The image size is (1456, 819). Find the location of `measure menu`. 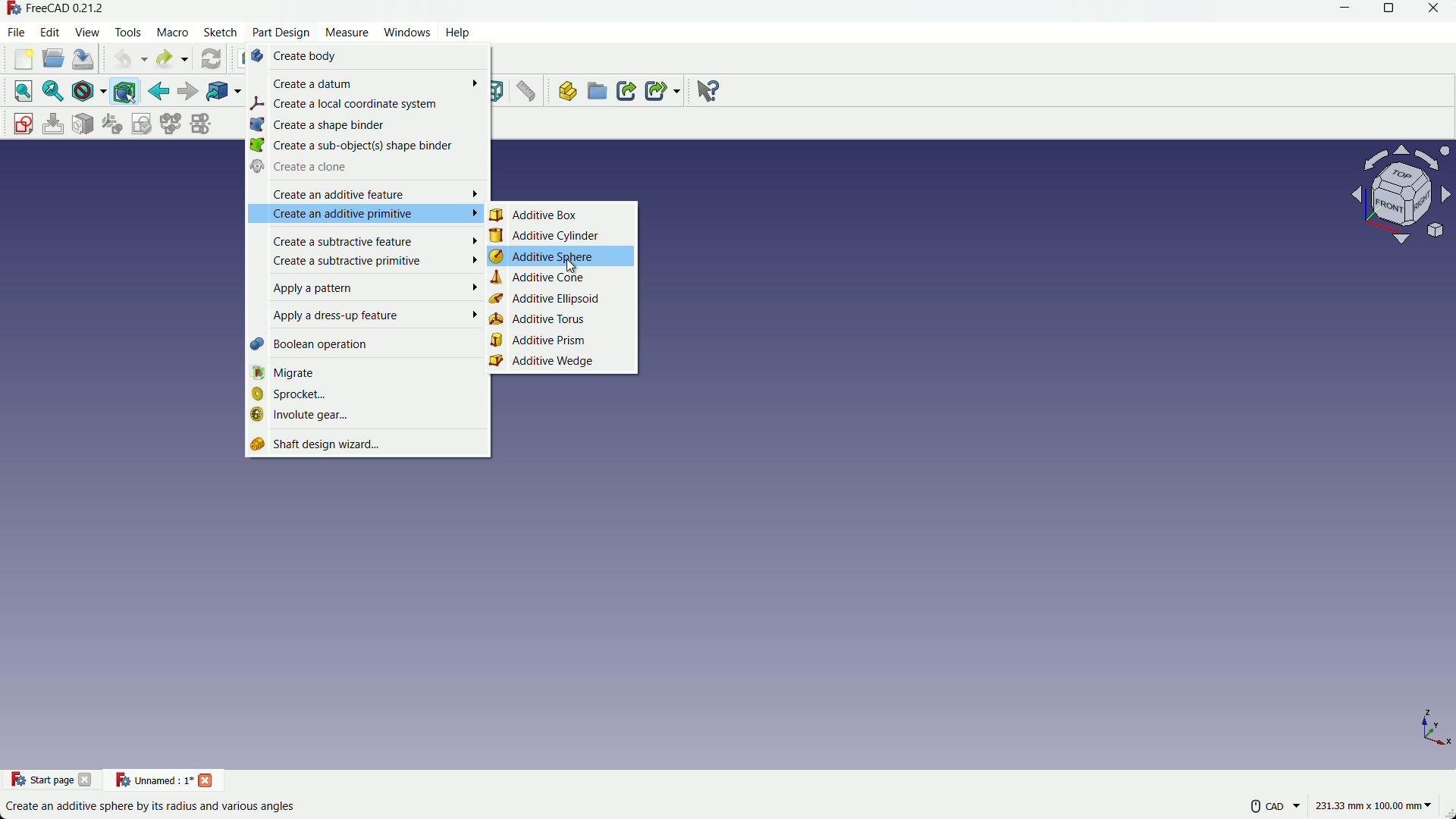

measure menu is located at coordinates (347, 33).